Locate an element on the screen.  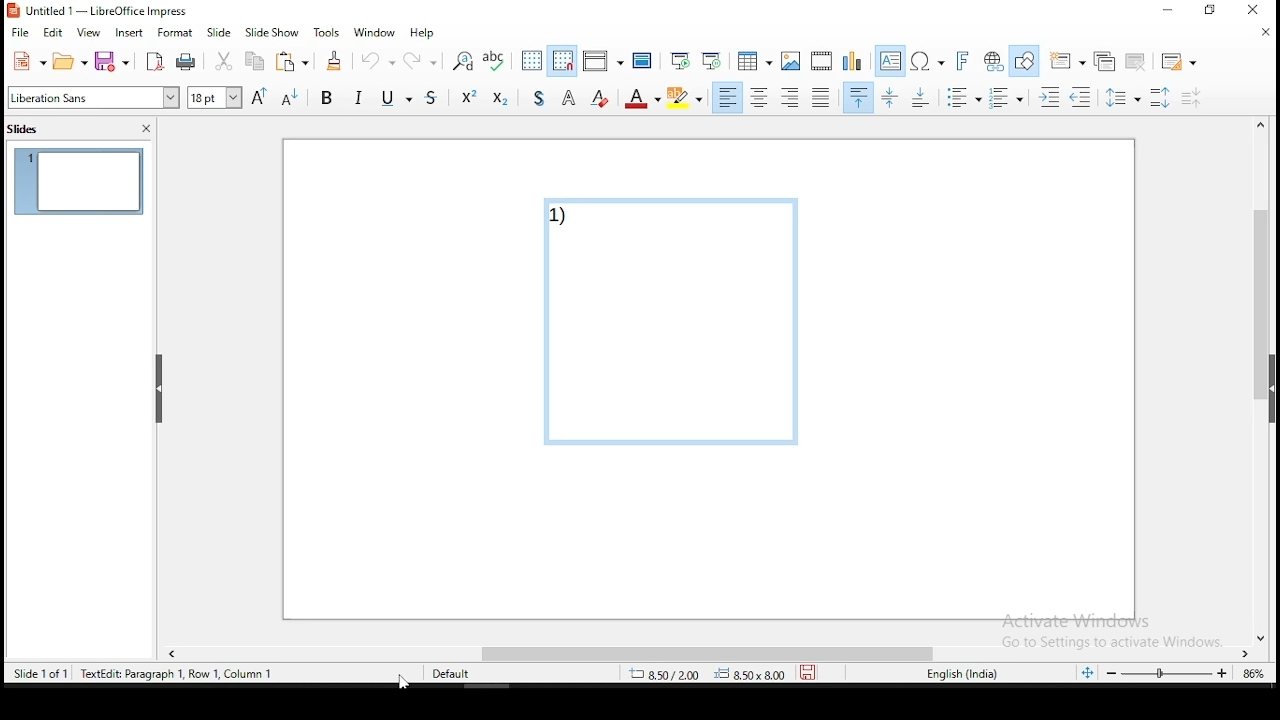
increase paragraph spacing is located at coordinates (1163, 98).